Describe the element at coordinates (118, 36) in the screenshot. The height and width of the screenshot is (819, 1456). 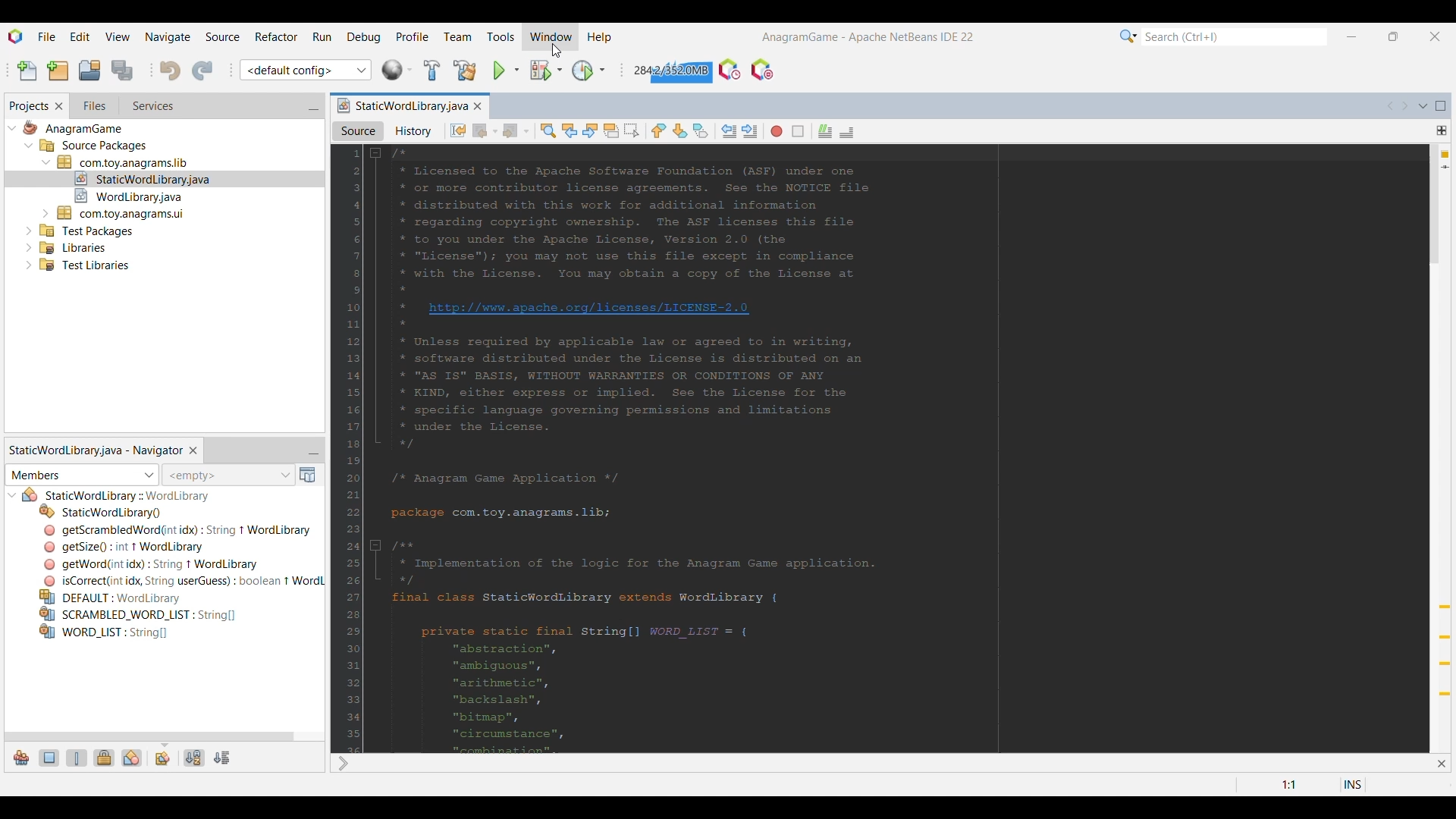
I see `View menu` at that location.